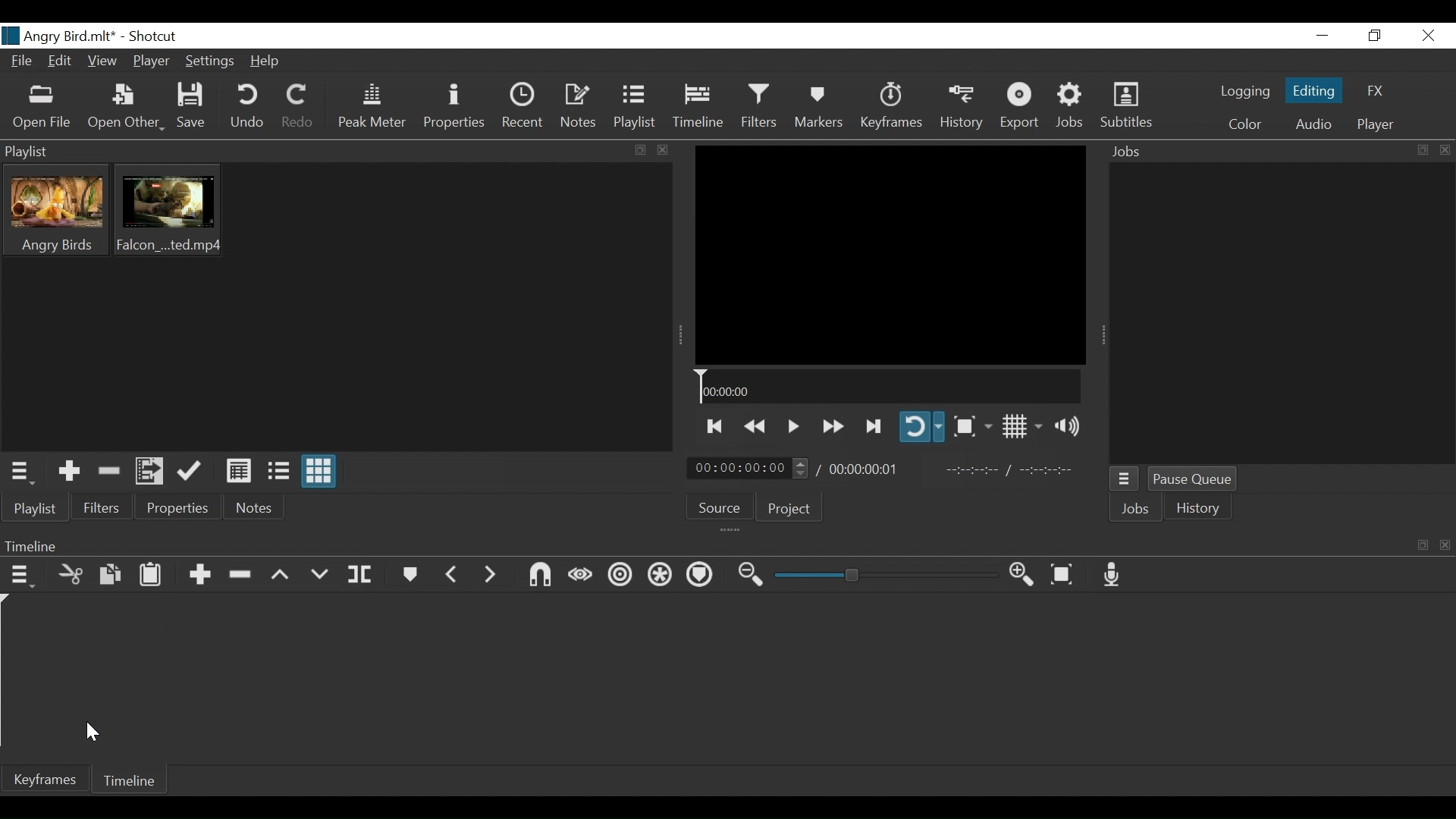  Describe the element at coordinates (410, 575) in the screenshot. I see `Markers` at that location.